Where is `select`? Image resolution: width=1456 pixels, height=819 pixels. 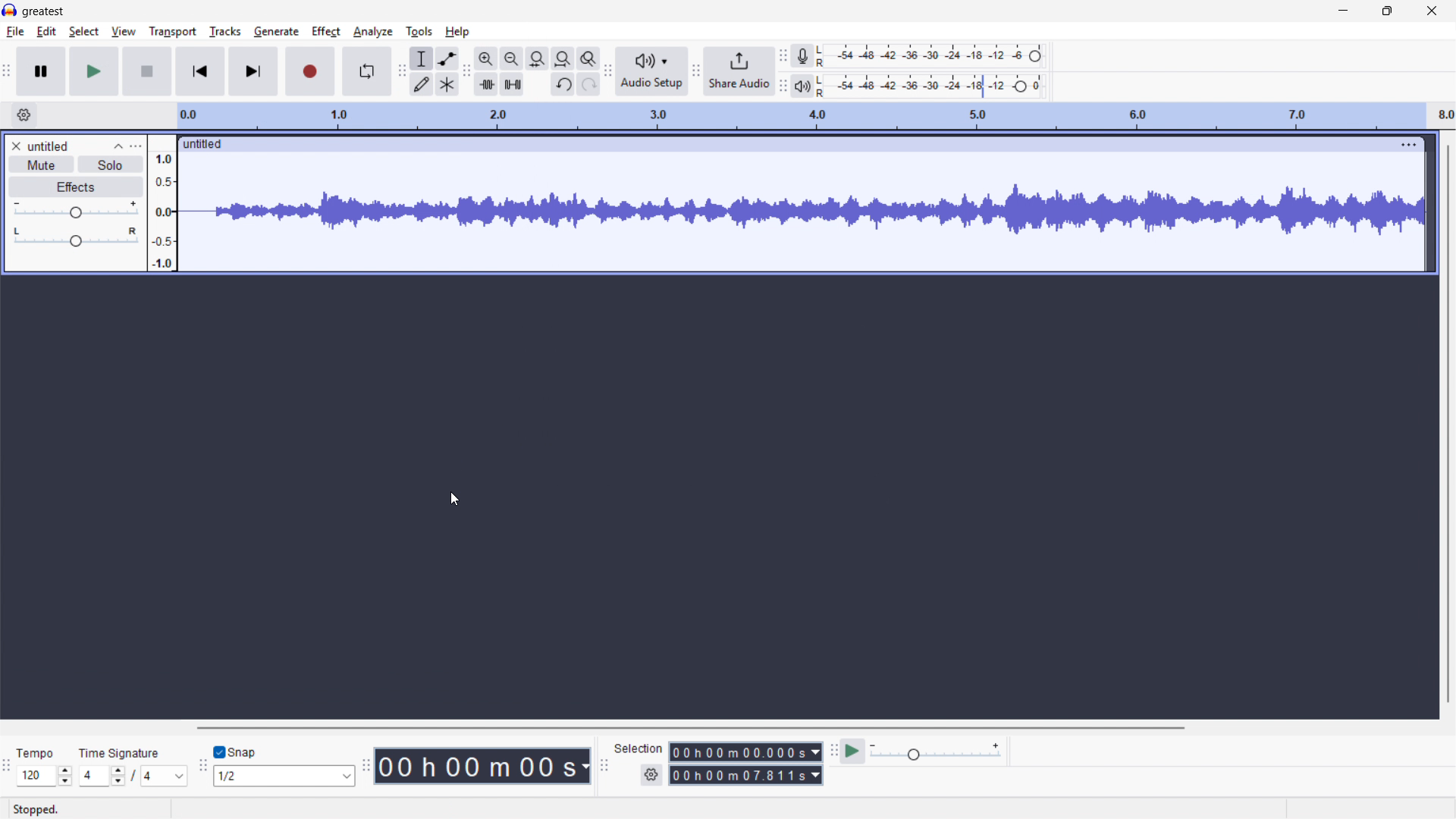
select is located at coordinates (83, 32).